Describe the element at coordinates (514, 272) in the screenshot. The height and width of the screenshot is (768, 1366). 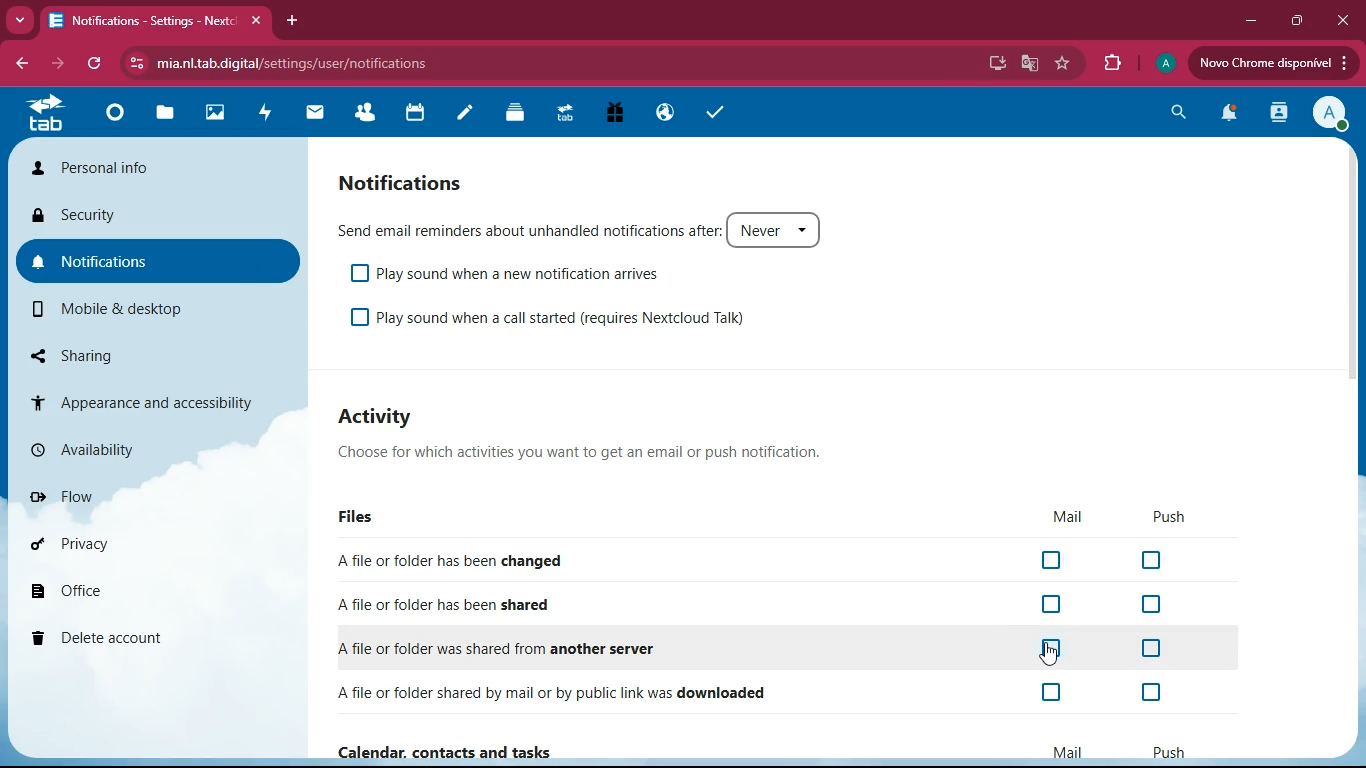
I see `play sound` at that location.